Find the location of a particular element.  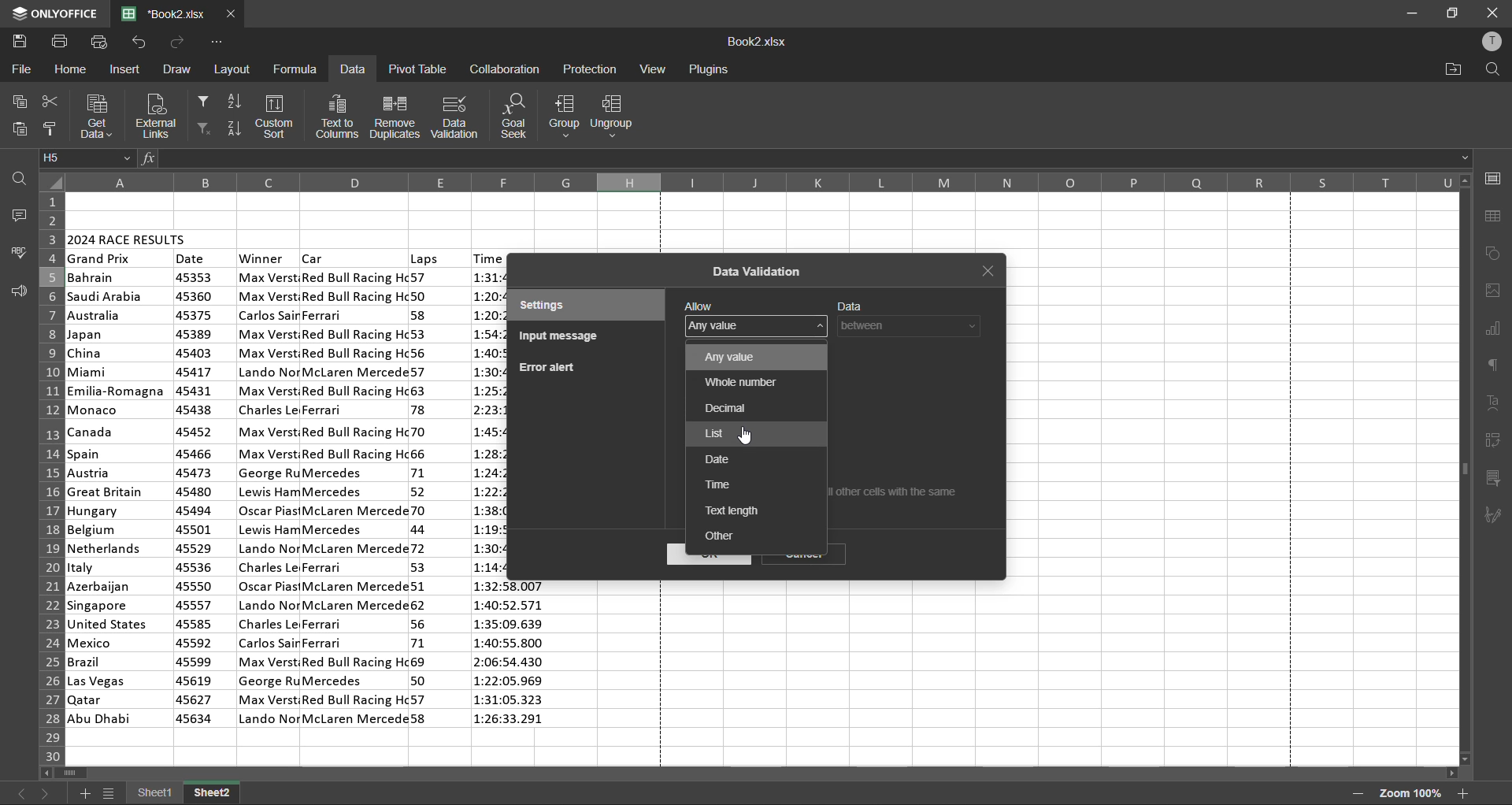

view is located at coordinates (652, 69).